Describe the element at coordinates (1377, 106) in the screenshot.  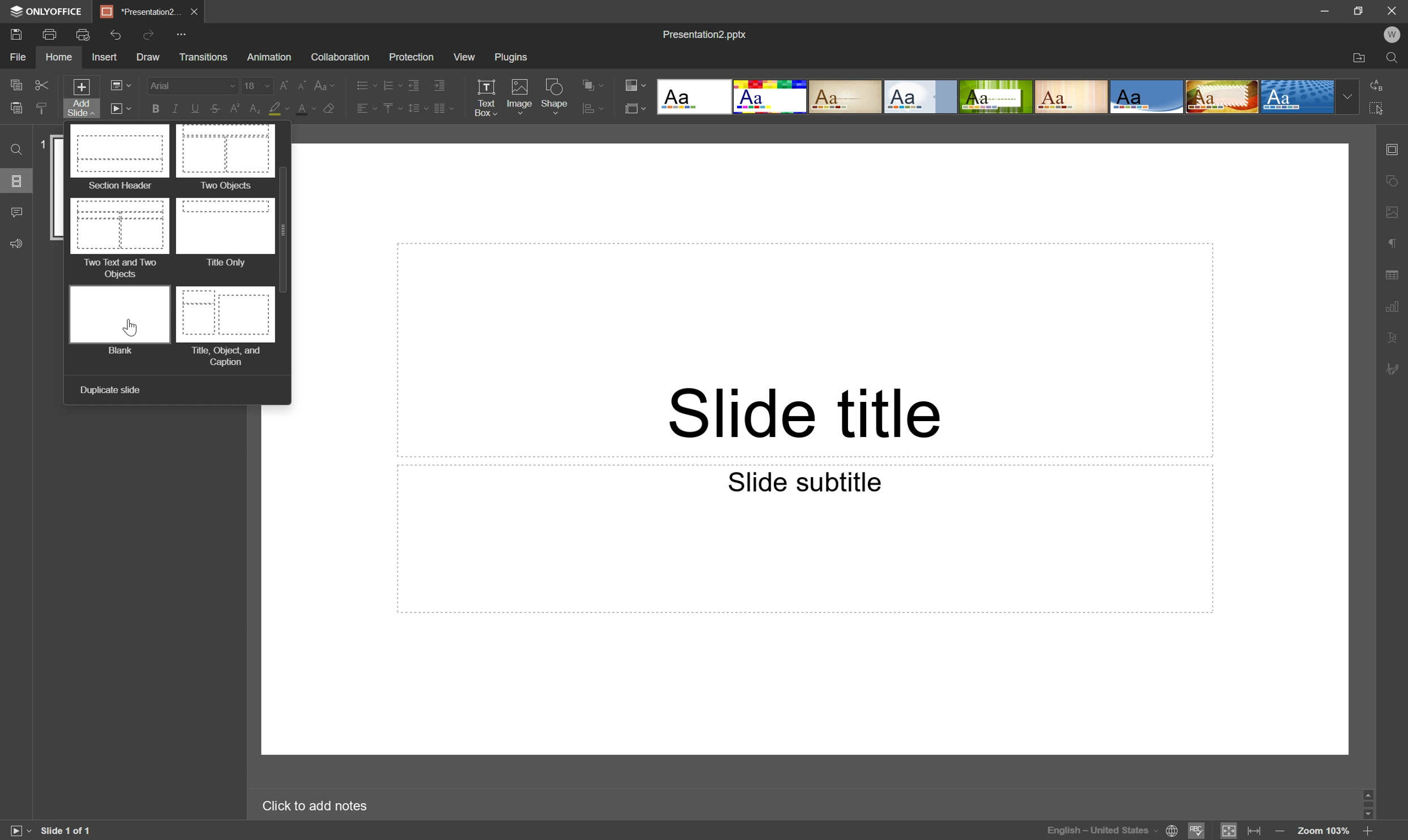
I see `Select all` at that location.